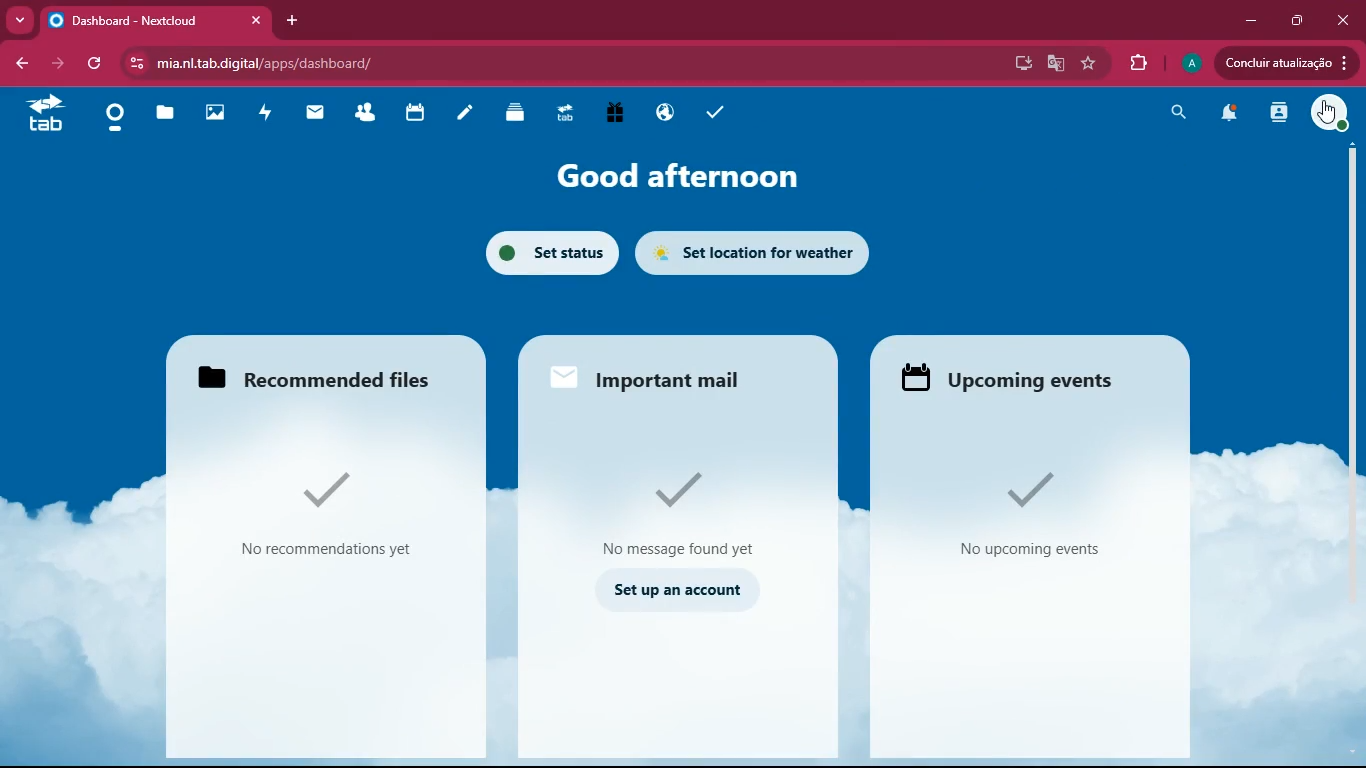  What do you see at coordinates (1229, 116) in the screenshot?
I see `notifications` at bounding box center [1229, 116].